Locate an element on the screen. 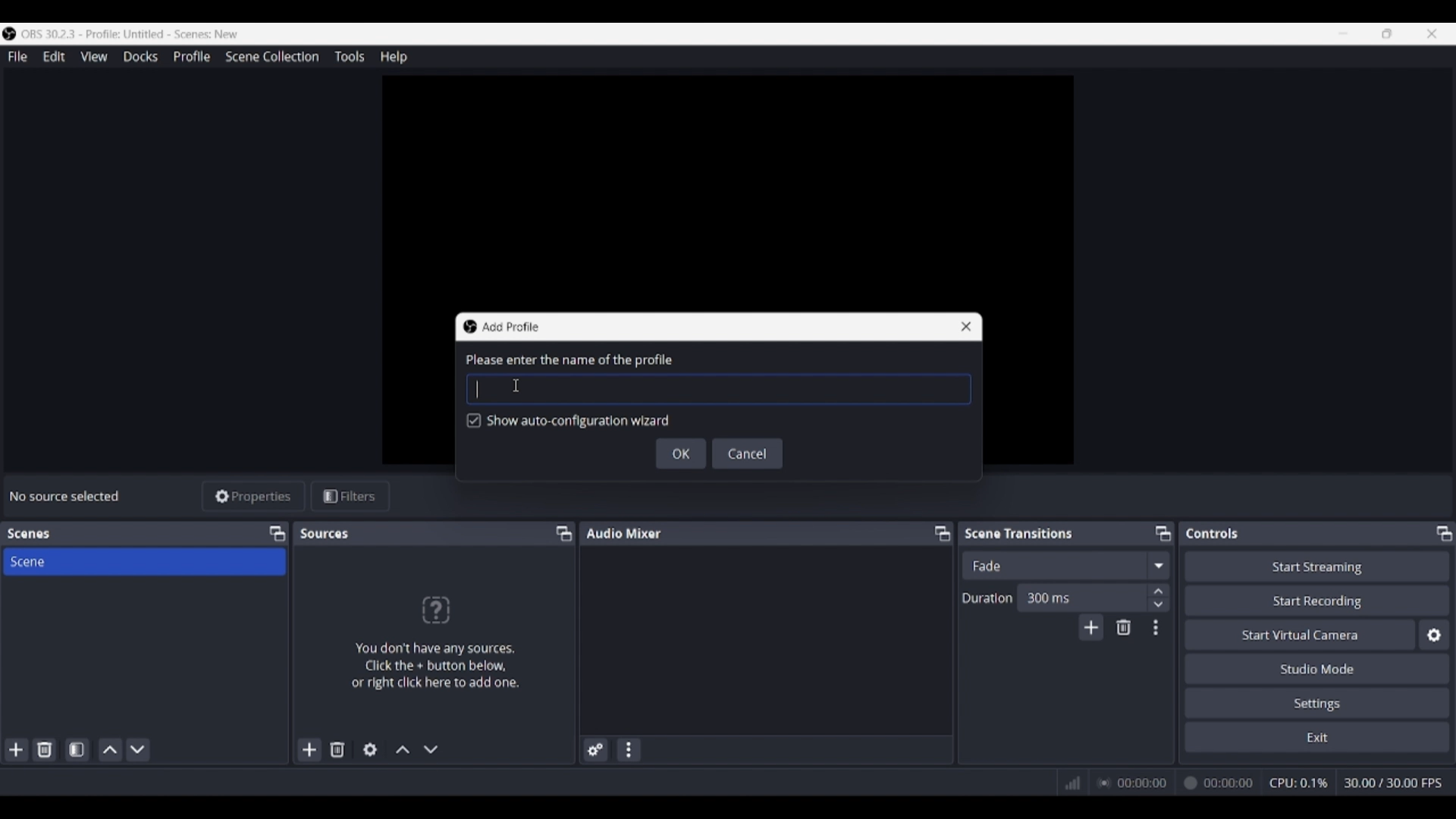 The width and height of the screenshot is (1456, 819). Minimize is located at coordinates (1343, 33).